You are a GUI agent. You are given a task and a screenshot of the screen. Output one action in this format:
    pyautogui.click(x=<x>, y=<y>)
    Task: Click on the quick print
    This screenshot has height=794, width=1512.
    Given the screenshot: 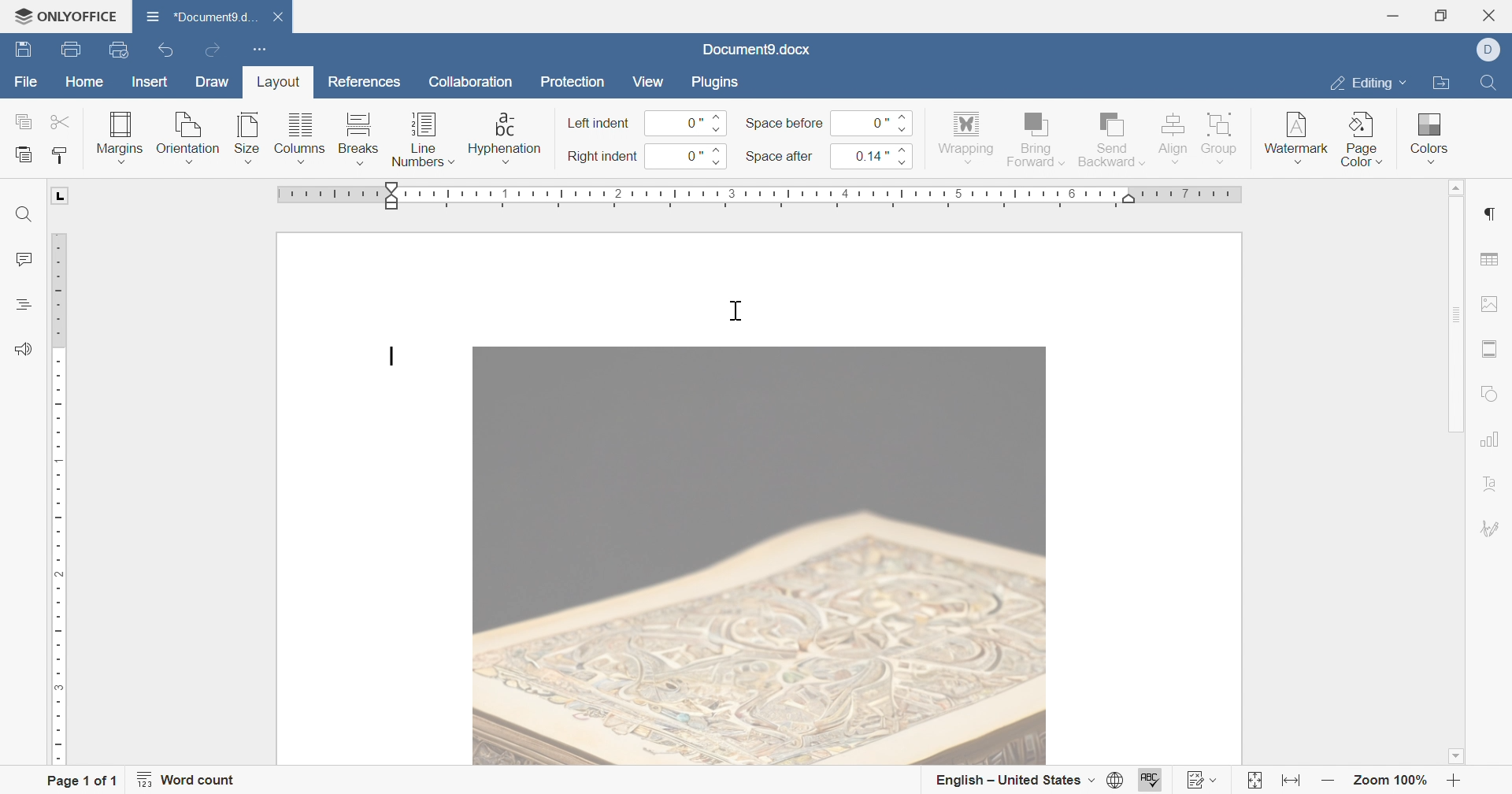 What is the action you would take?
    pyautogui.click(x=126, y=51)
    